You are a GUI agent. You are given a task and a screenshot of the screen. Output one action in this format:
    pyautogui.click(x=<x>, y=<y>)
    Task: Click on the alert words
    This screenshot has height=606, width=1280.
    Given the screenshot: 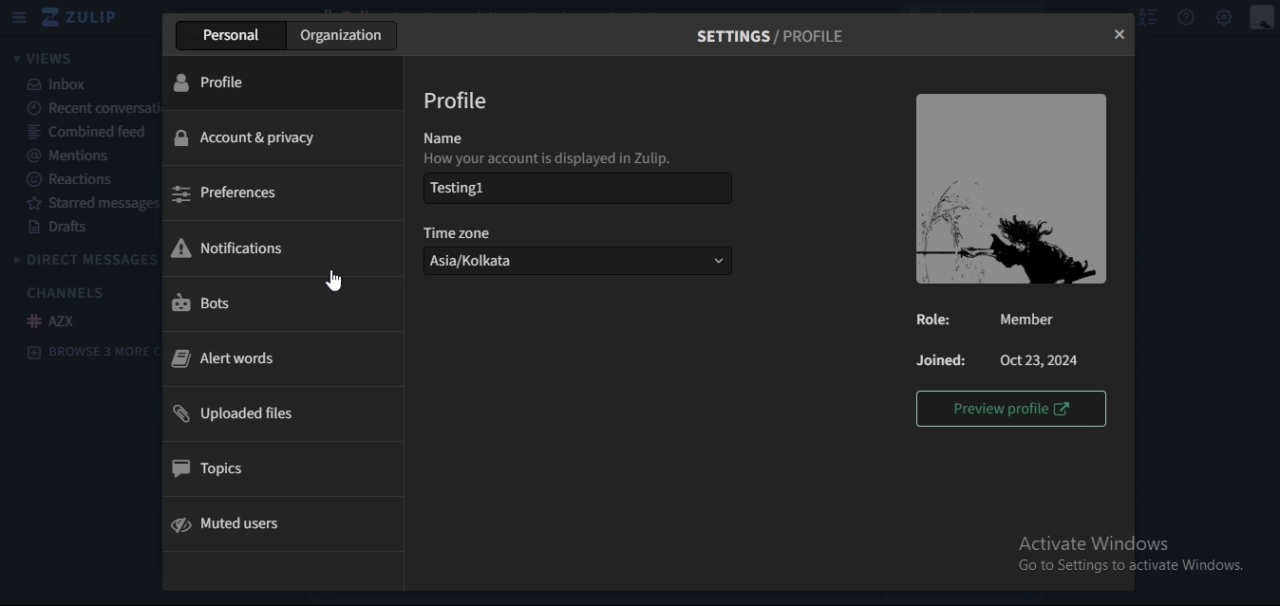 What is the action you would take?
    pyautogui.click(x=230, y=358)
    